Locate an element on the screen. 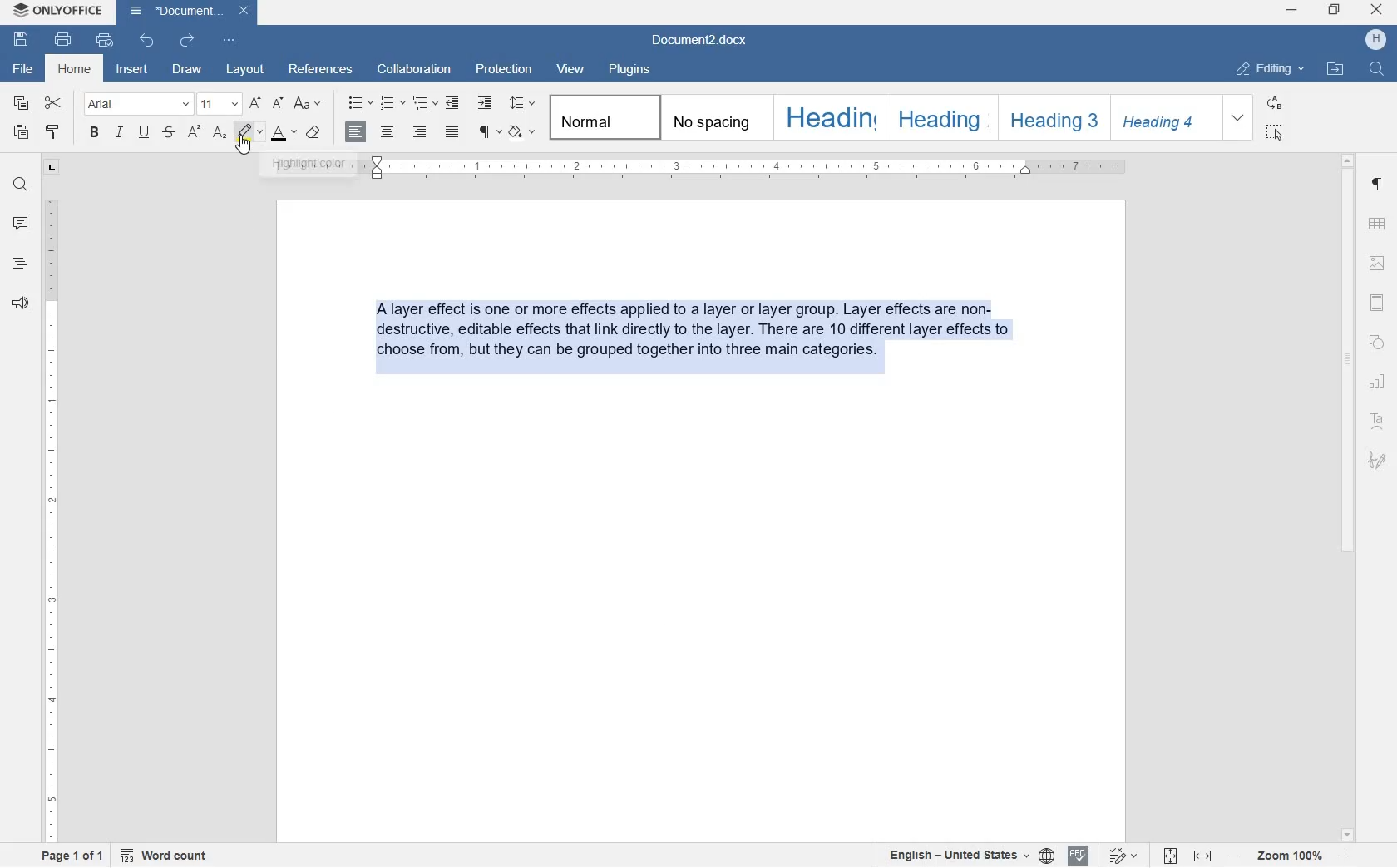 The width and height of the screenshot is (1397, 868). chart is located at coordinates (1377, 381).